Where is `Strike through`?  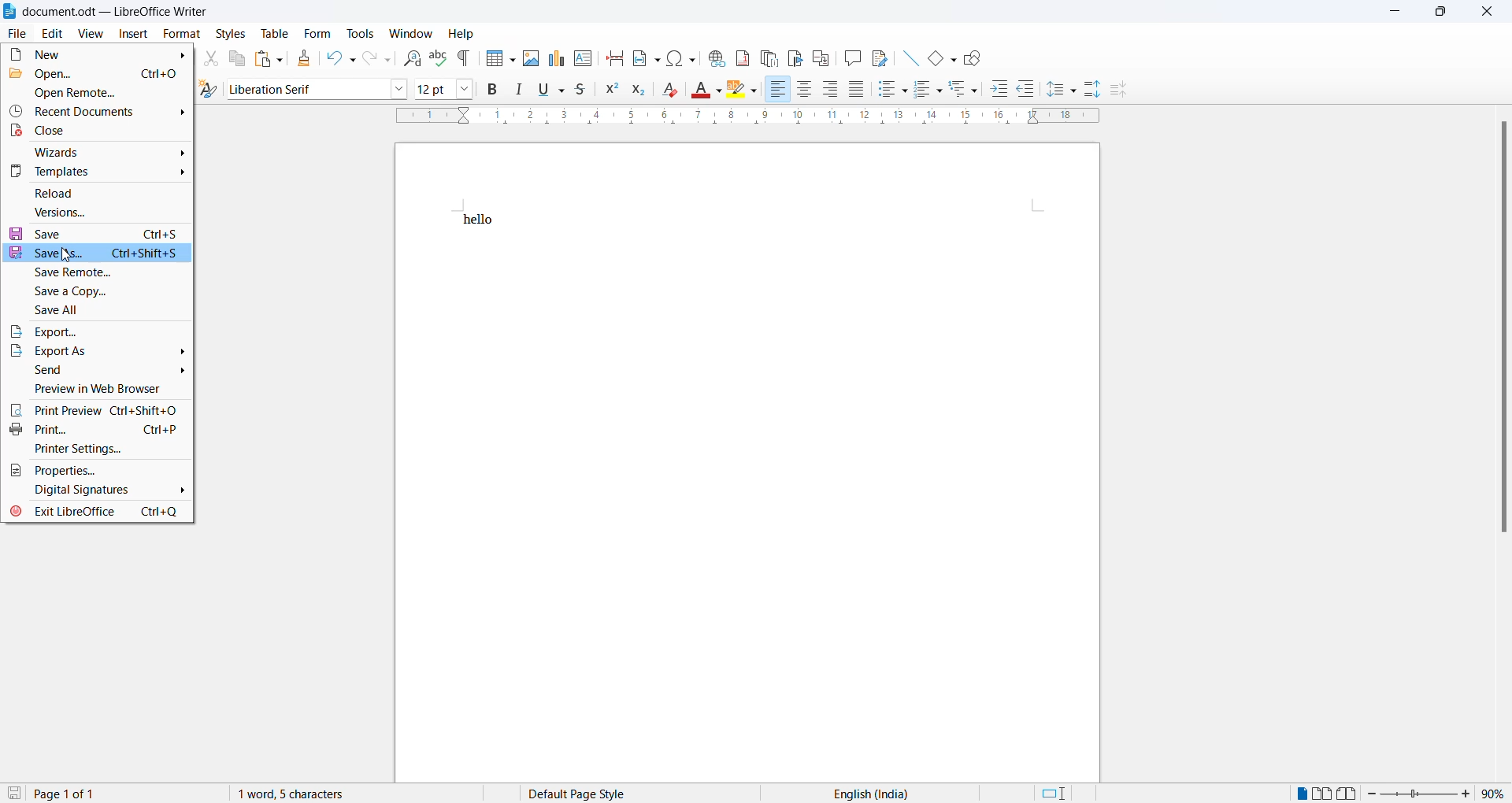
Strike through is located at coordinates (580, 92).